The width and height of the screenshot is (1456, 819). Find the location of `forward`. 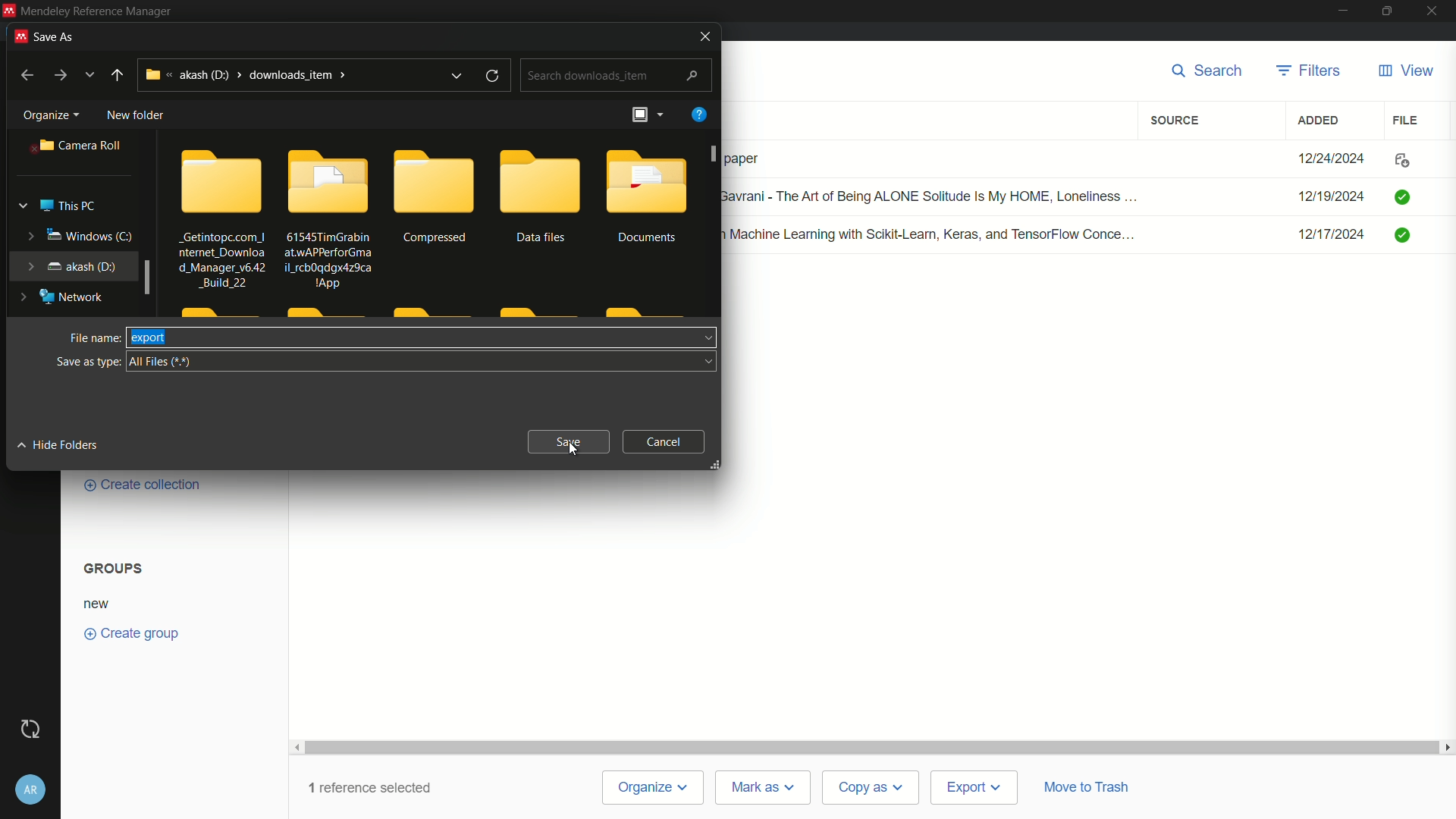

forward is located at coordinates (59, 76).